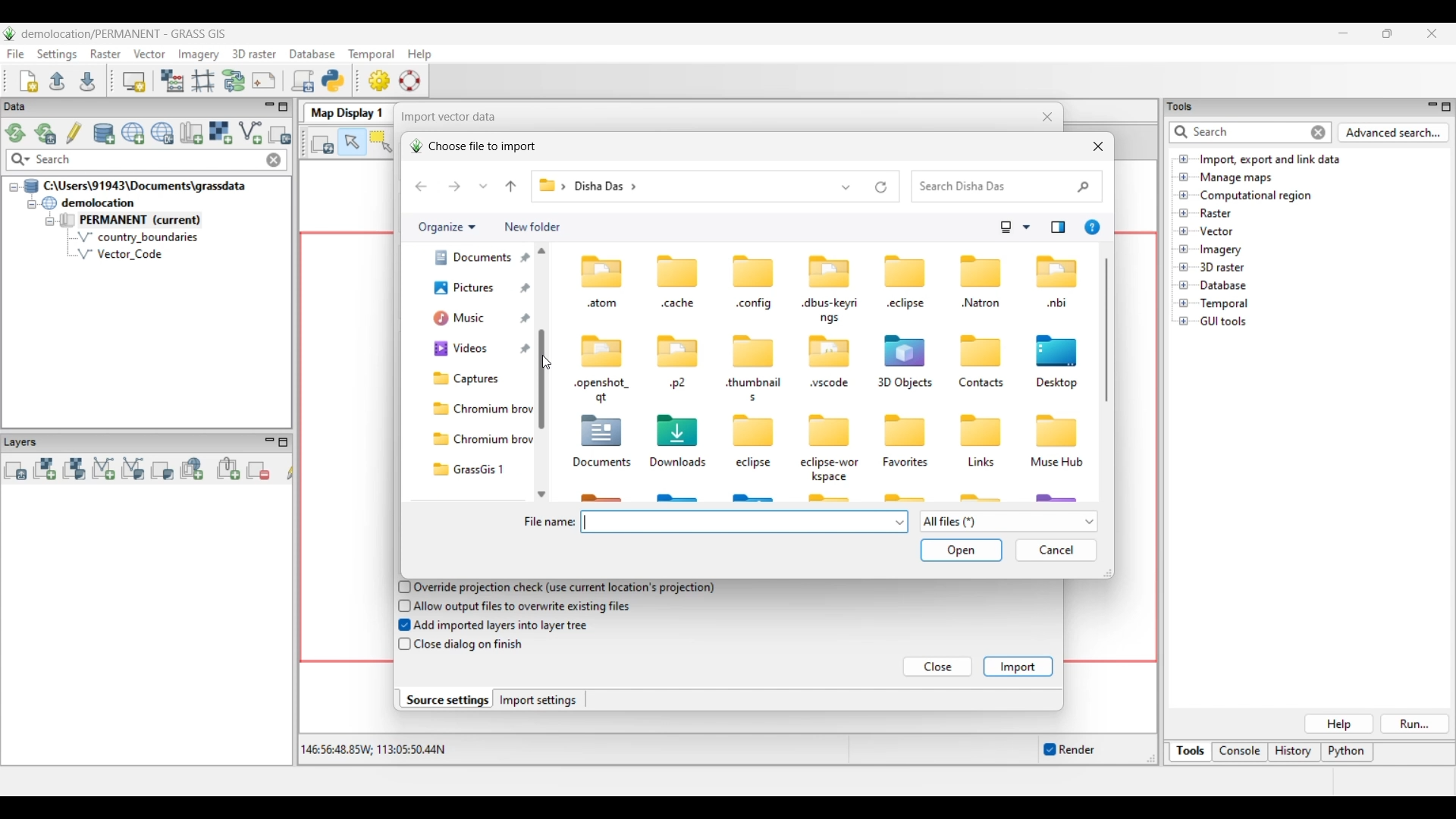 This screenshot has width=1456, height=819. What do you see at coordinates (903, 428) in the screenshot?
I see `icon` at bounding box center [903, 428].